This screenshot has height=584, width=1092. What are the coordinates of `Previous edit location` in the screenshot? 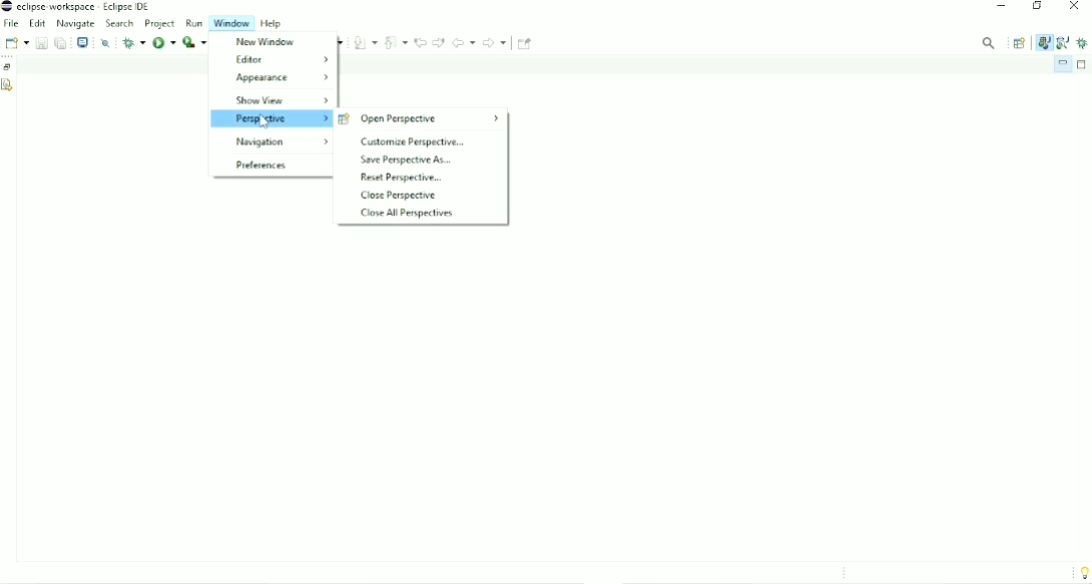 It's located at (420, 42).